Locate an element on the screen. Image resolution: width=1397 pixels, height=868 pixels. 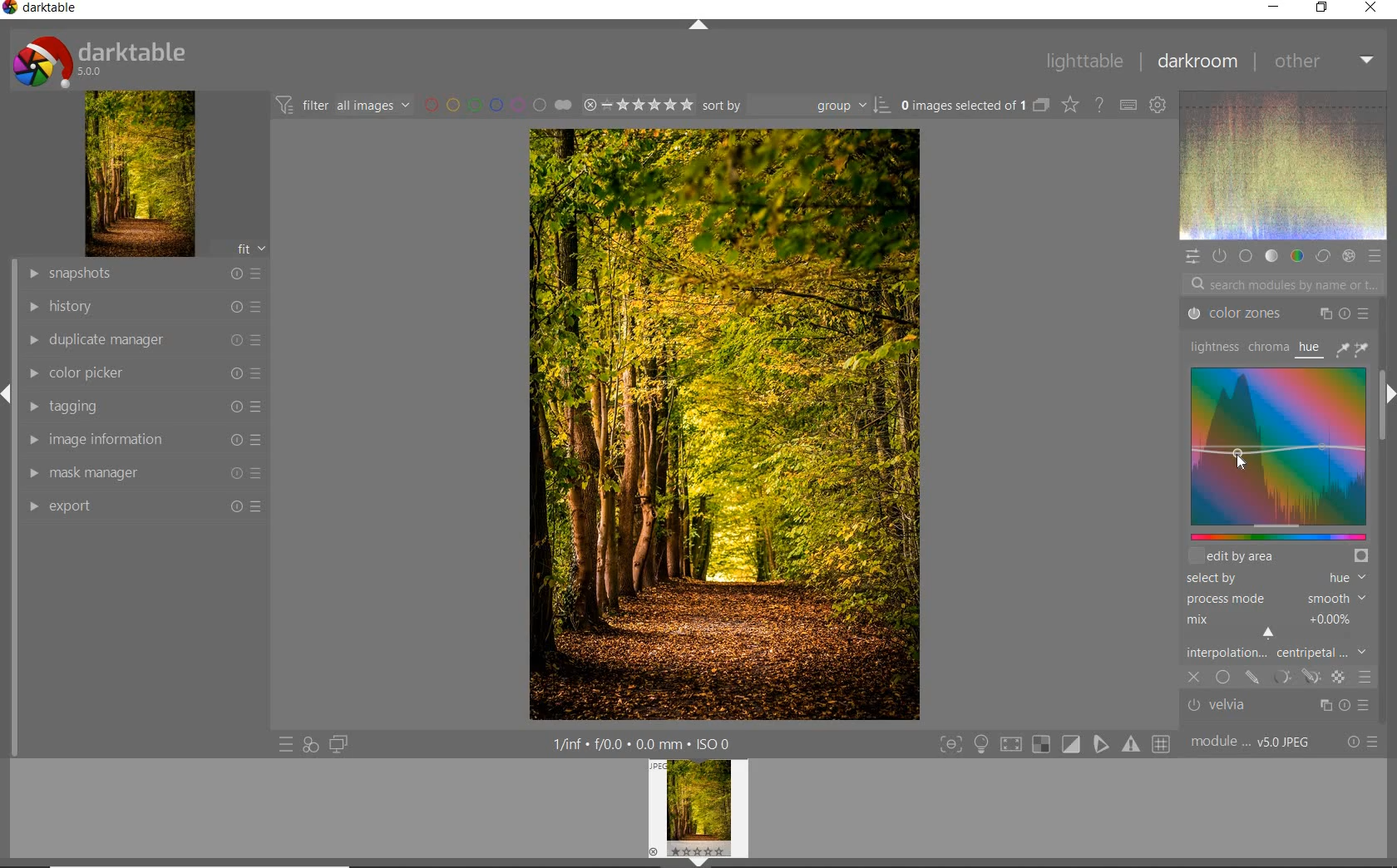
OTHER is located at coordinates (1325, 61).